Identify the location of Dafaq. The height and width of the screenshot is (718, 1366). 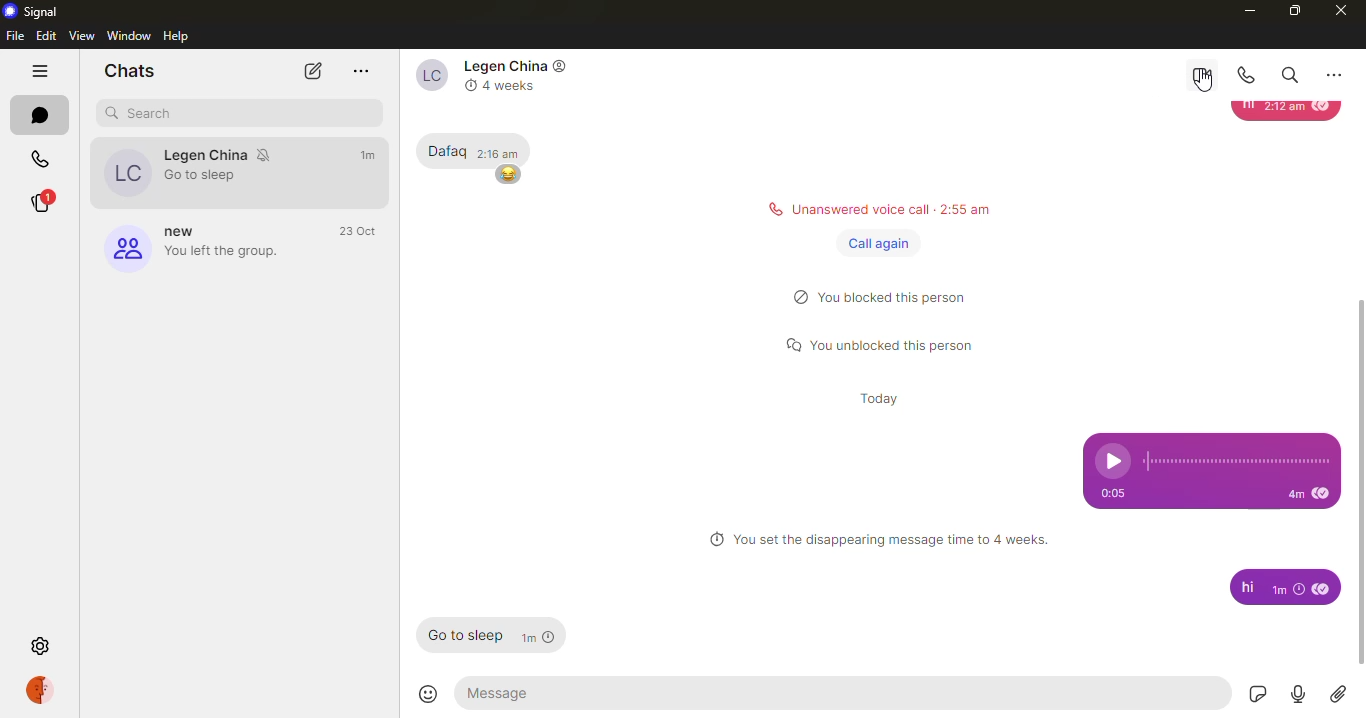
(443, 148).